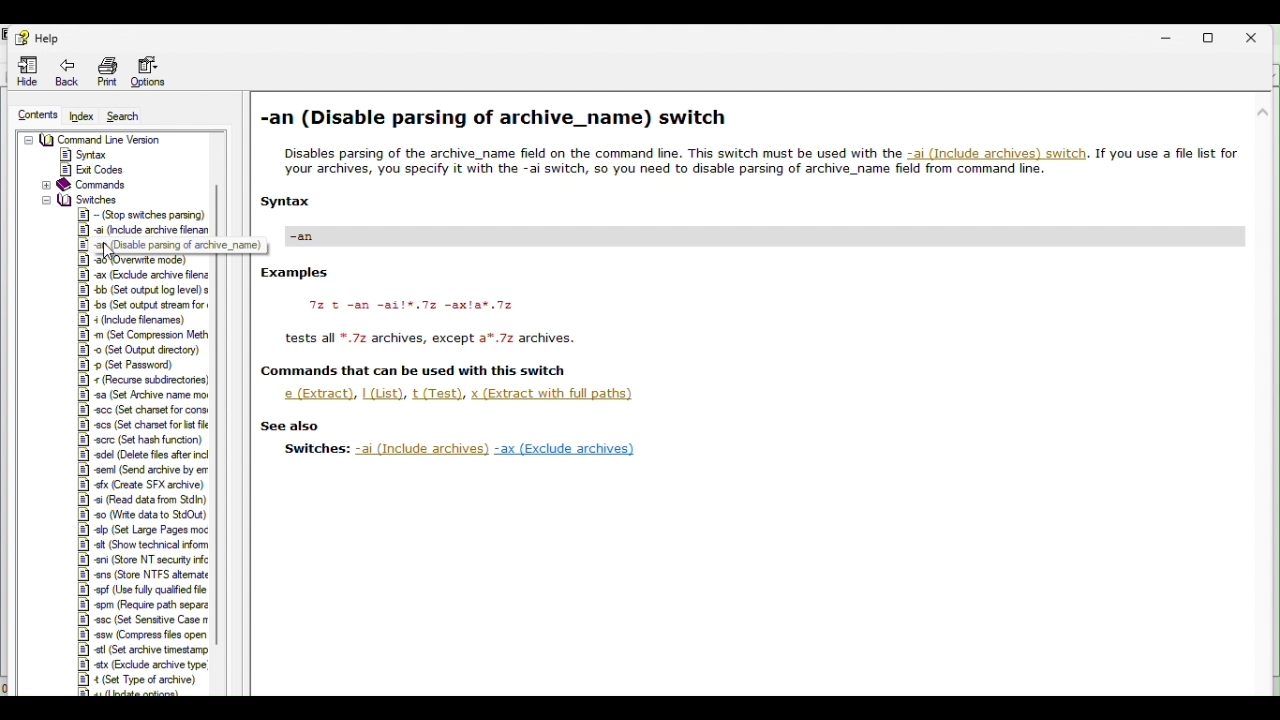  What do you see at coordinates (142, 605) in the screenshot?
I see `|§] -spm (Require path separa` at bounding box center [142, 605].